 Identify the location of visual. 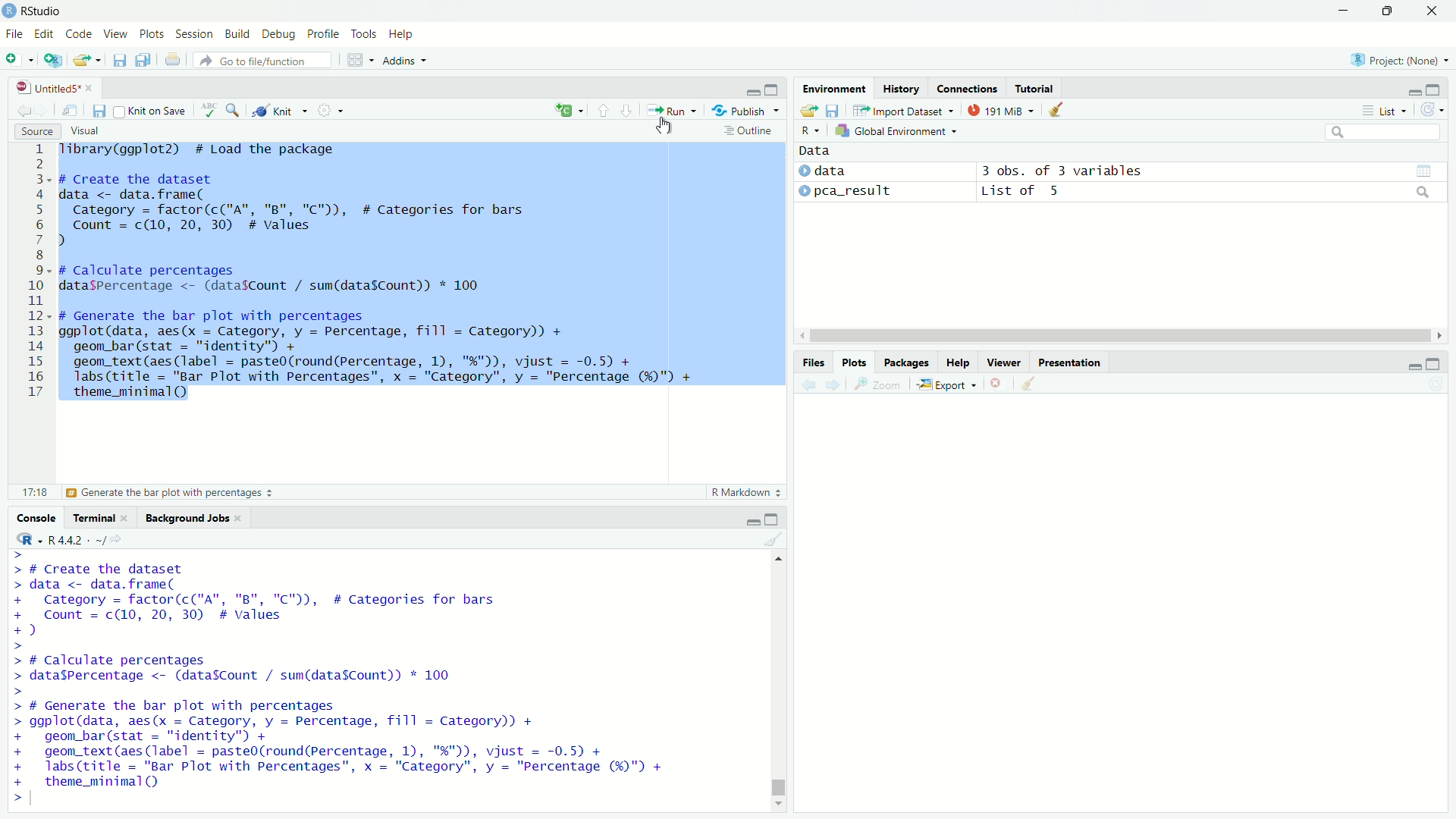
(89, 130).